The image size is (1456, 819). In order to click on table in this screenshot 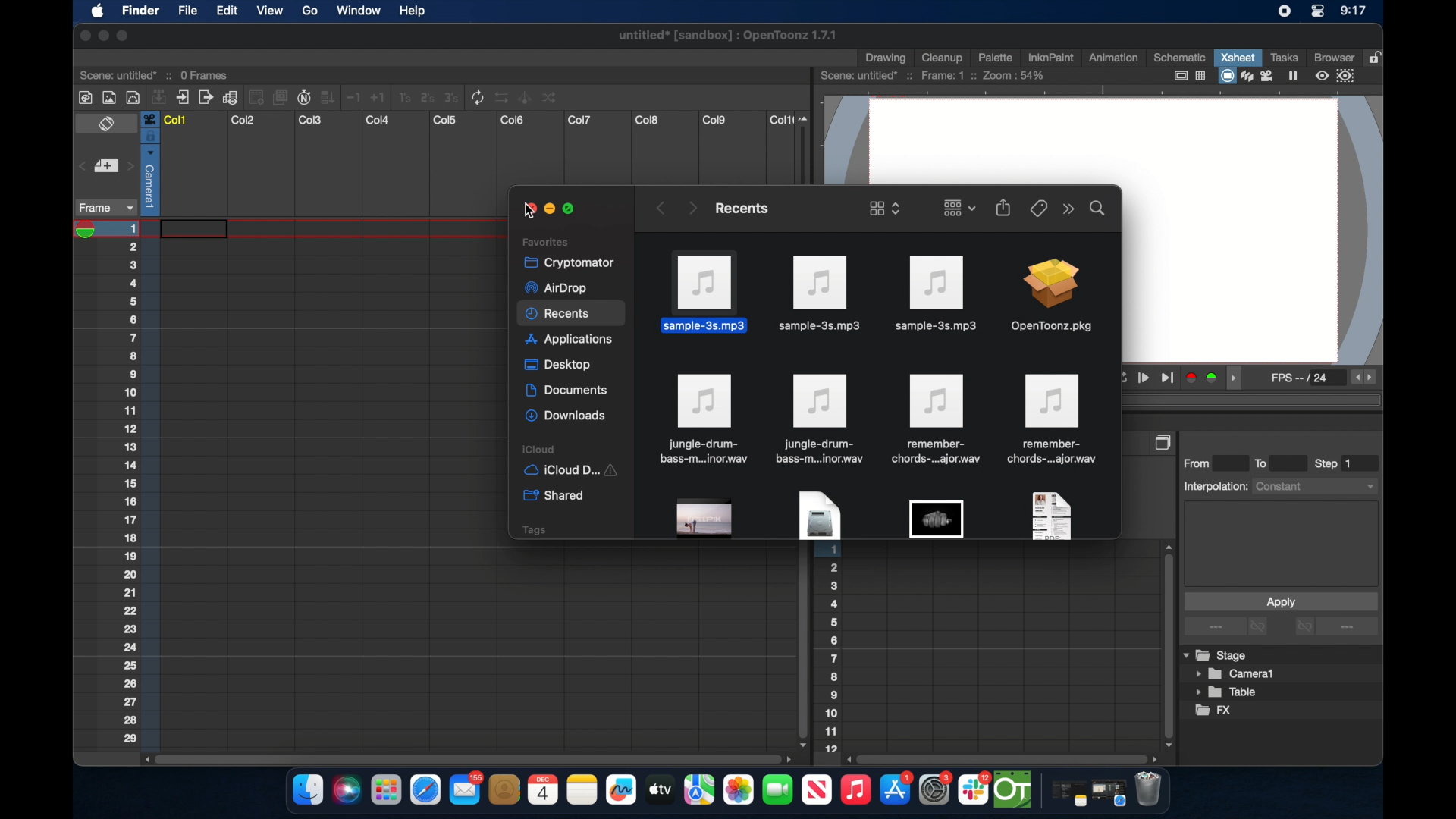, I will do `click(1227, 693)`.